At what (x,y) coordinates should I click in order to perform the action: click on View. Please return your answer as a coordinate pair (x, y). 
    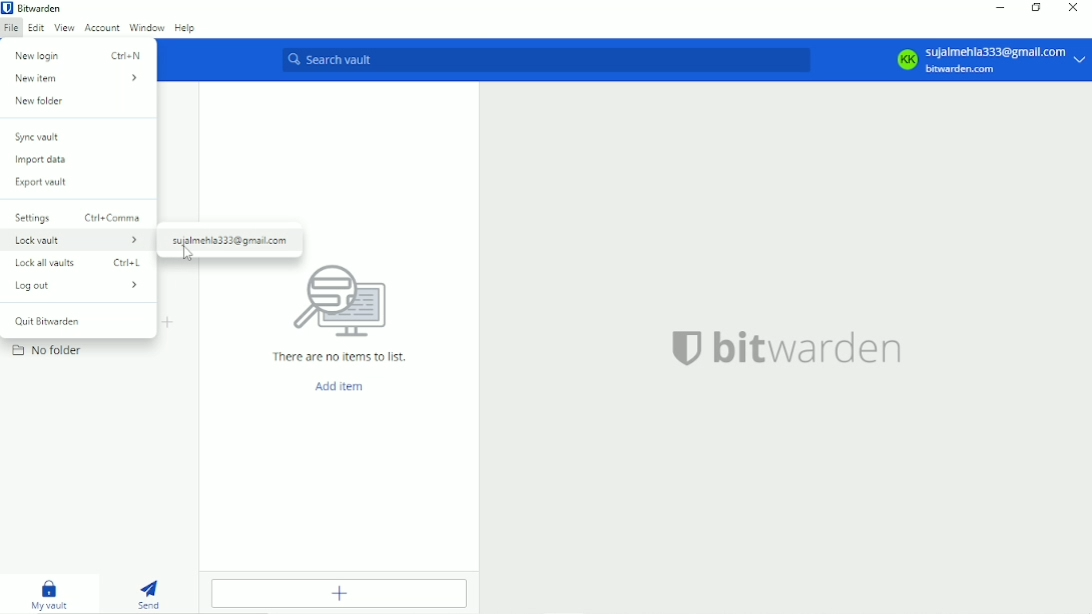
    Looking at the image, I should click on (64, 29).